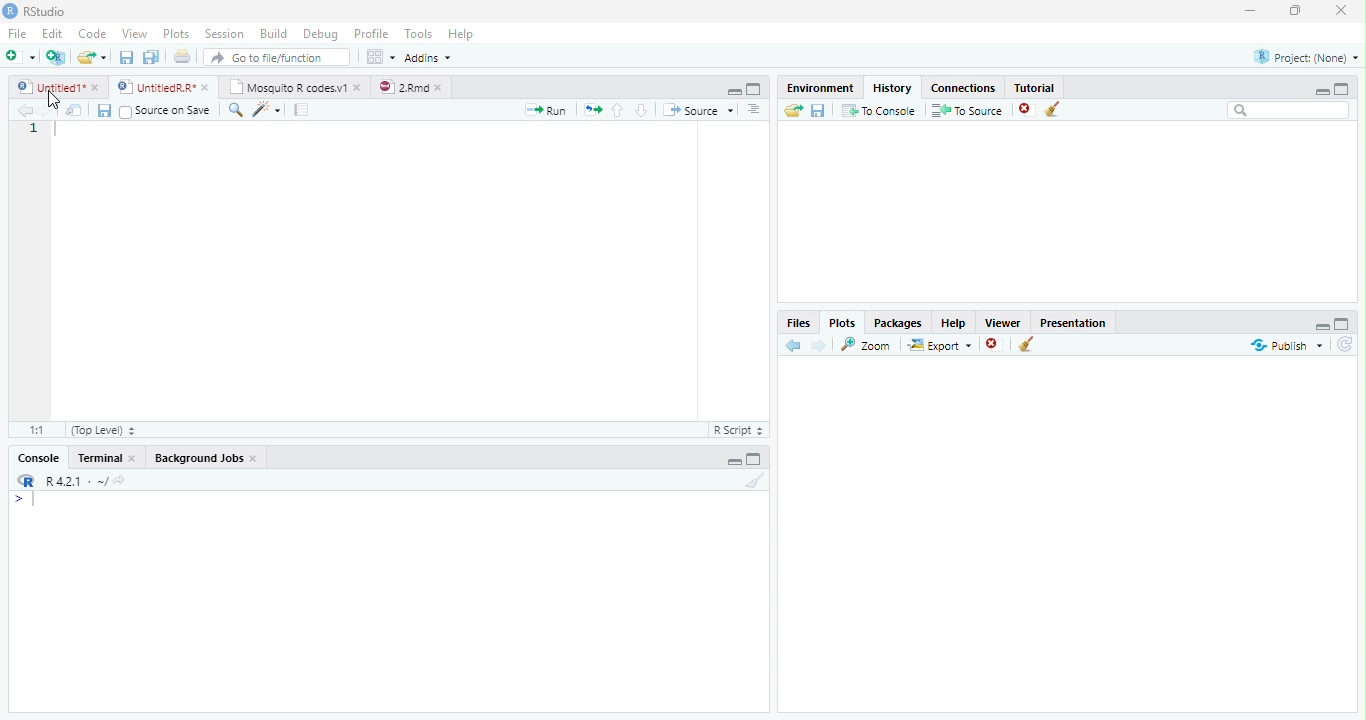  What do you see at coordinates (1026, 344) in the screenshot?
I see `Clear` at bounding box center [1026, 344].